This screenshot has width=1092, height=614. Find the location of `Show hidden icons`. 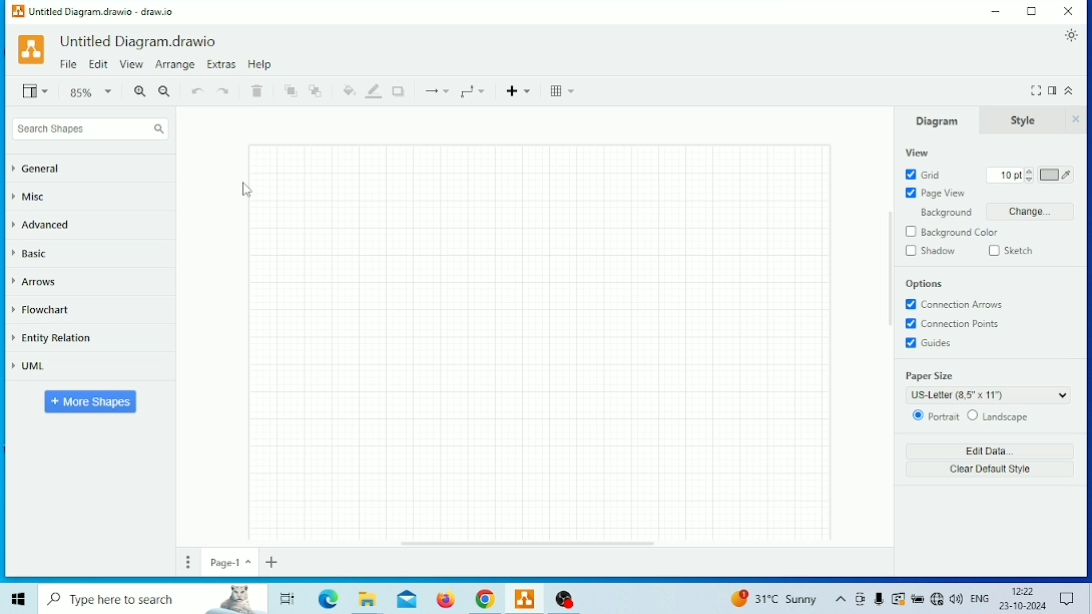

Show hidden icons is located at coordinates (840, 600).